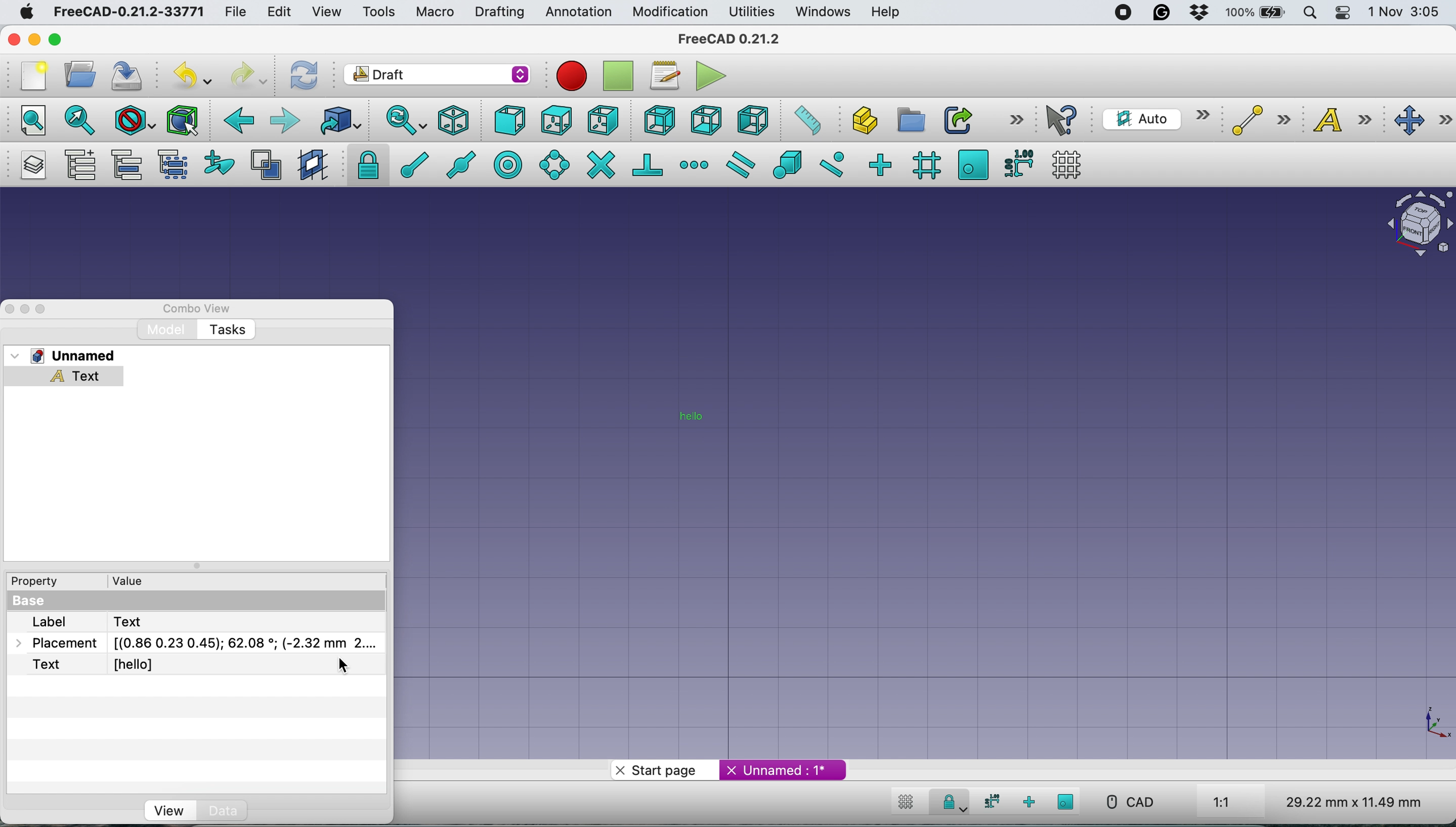 The height and width of the screenshot is (827, 1456). What do you see at coordinates (1233, 800) in the screenshot?
I see `aspect ratio` at bounding box center [1233, 800].